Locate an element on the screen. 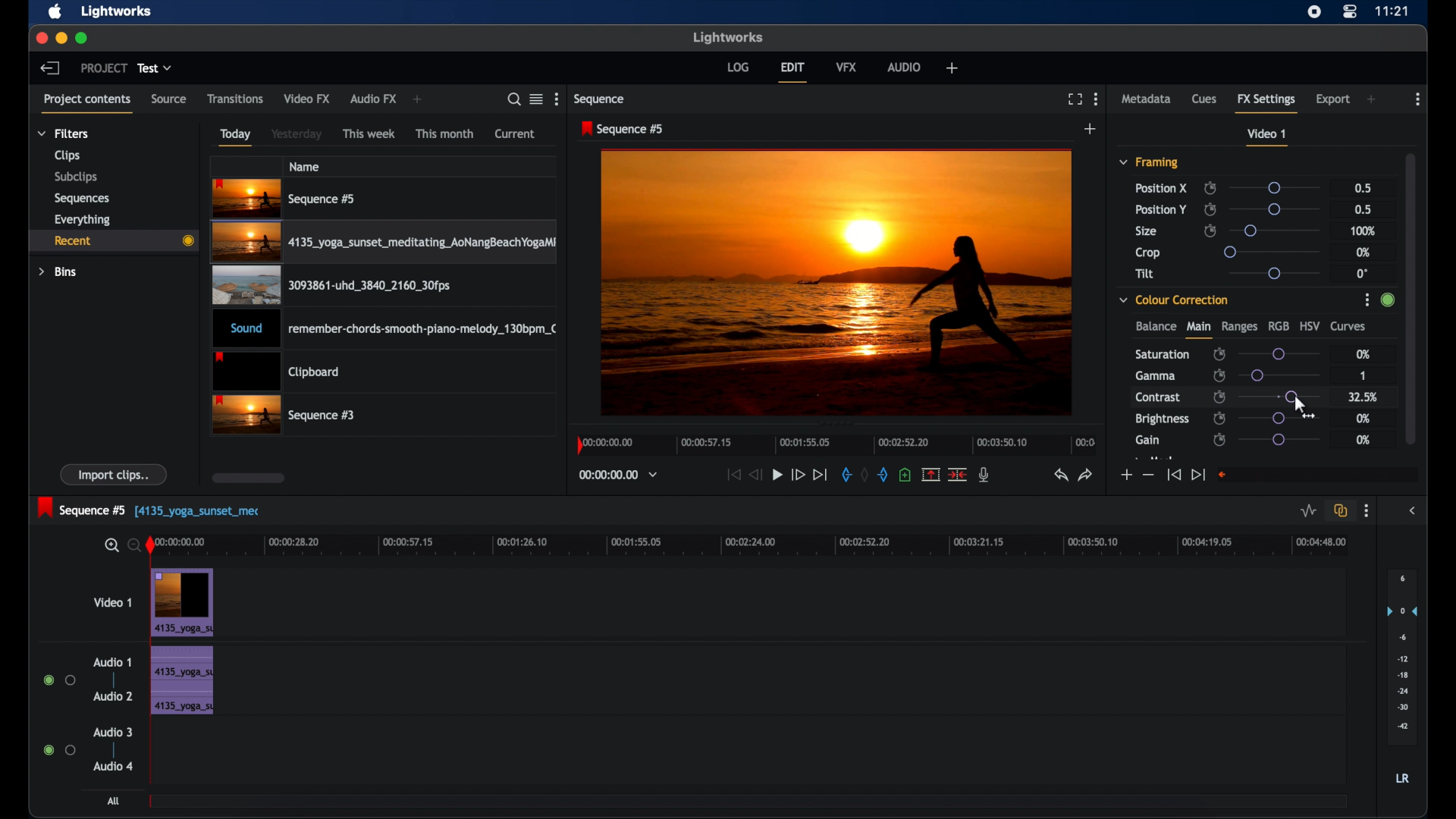 Image resolution: width=1456 pixels, height=819 pixels. timeline scale is located at coordinates (760, 544).